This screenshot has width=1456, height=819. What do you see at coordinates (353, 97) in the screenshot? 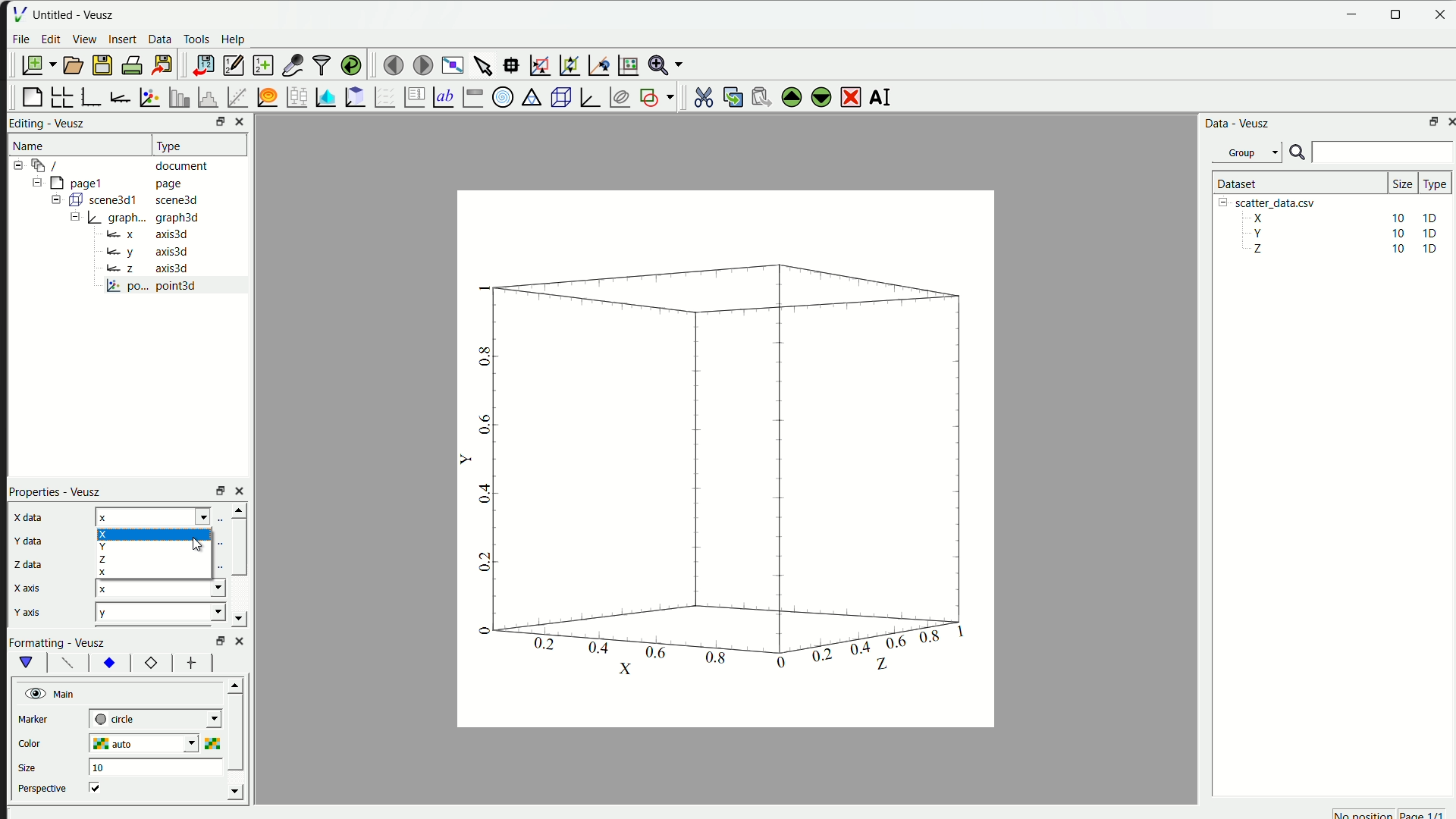
I see `clipboard` at bounding box center [353, 97].